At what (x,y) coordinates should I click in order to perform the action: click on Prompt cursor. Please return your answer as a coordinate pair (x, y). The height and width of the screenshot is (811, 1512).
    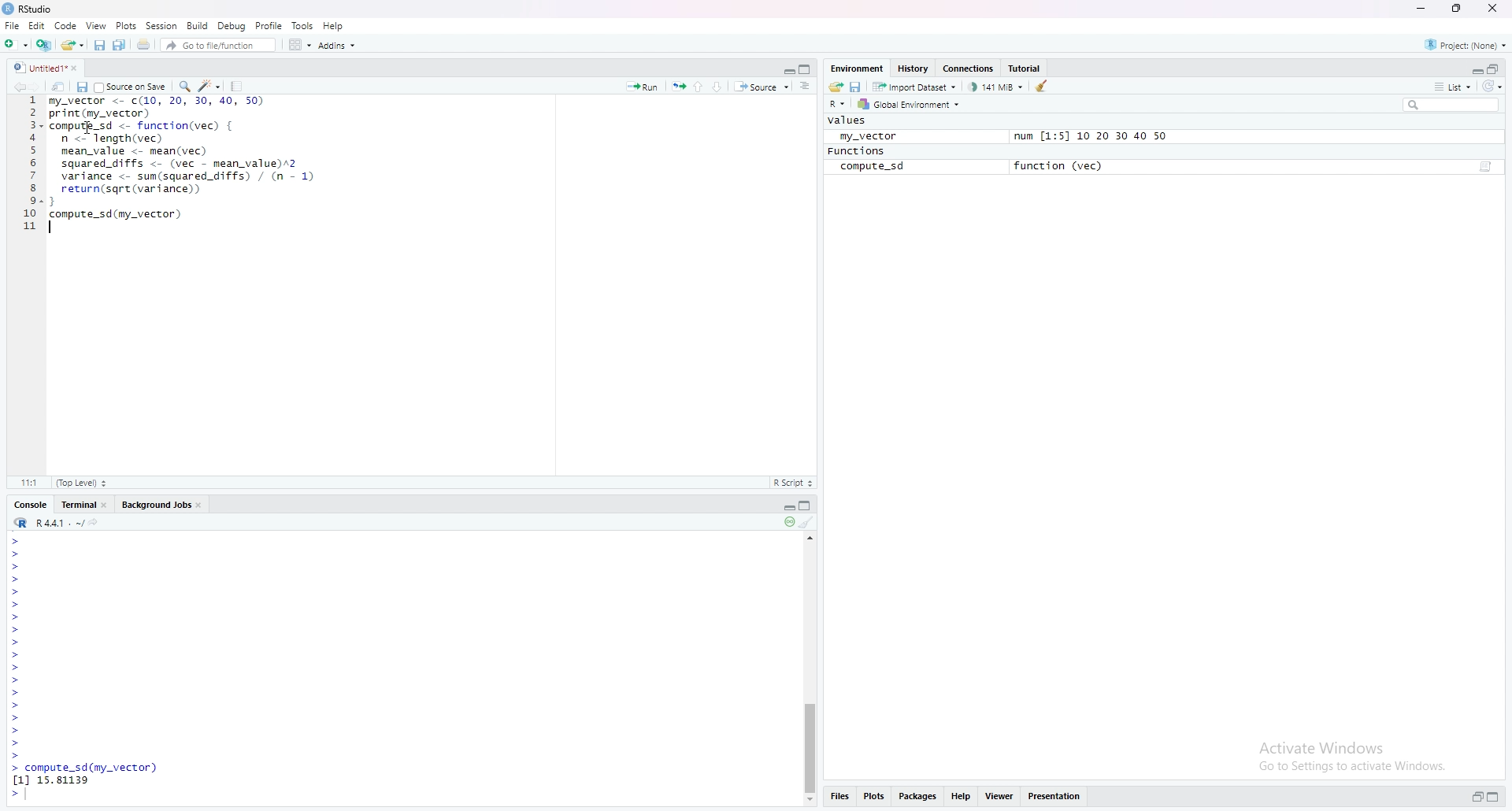
    Looking at the image, I should click on (16, 731).